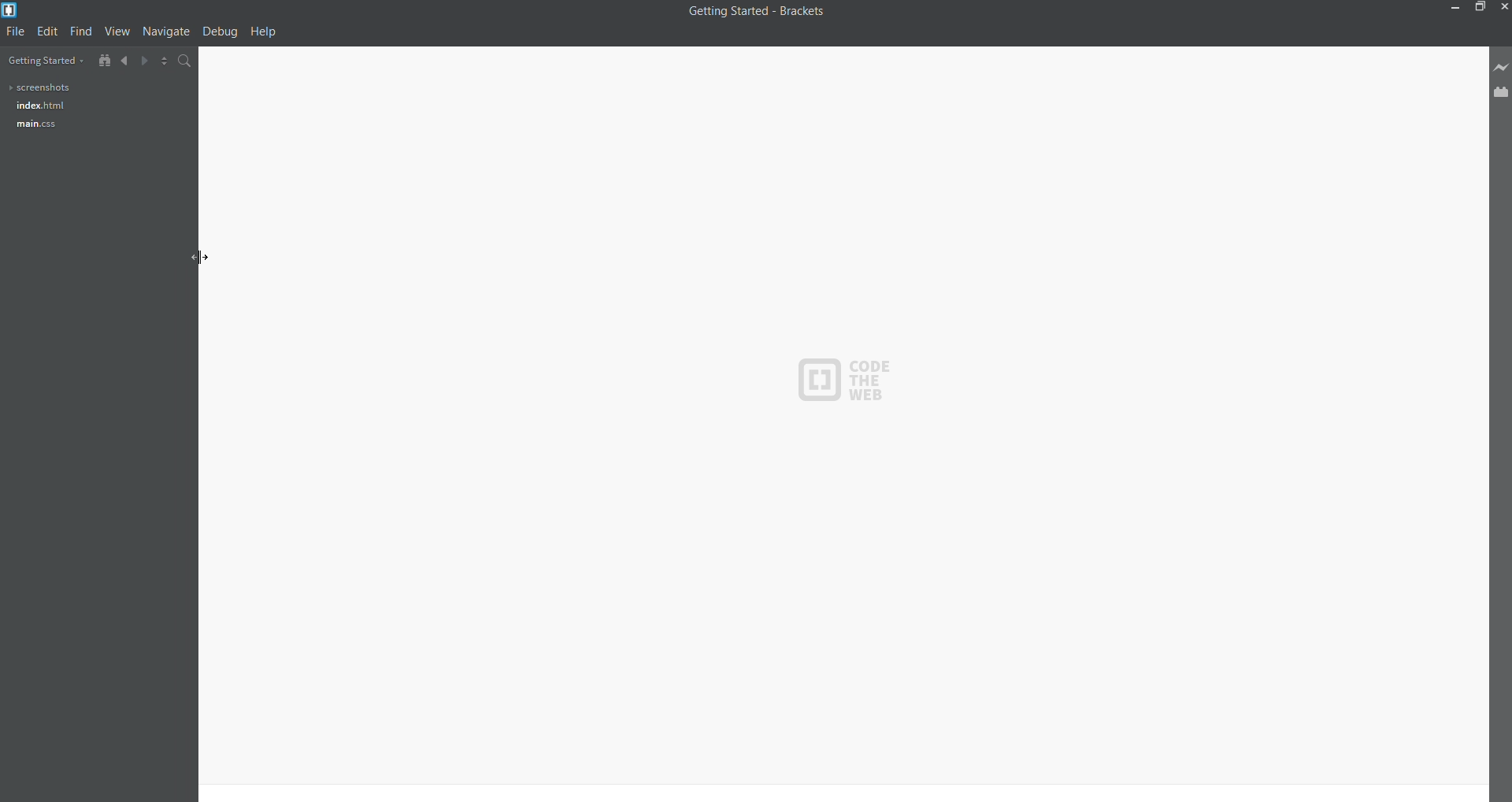  Describe the element at coordinates (43, 59) in the screenshot. I see `getting started` at that location.